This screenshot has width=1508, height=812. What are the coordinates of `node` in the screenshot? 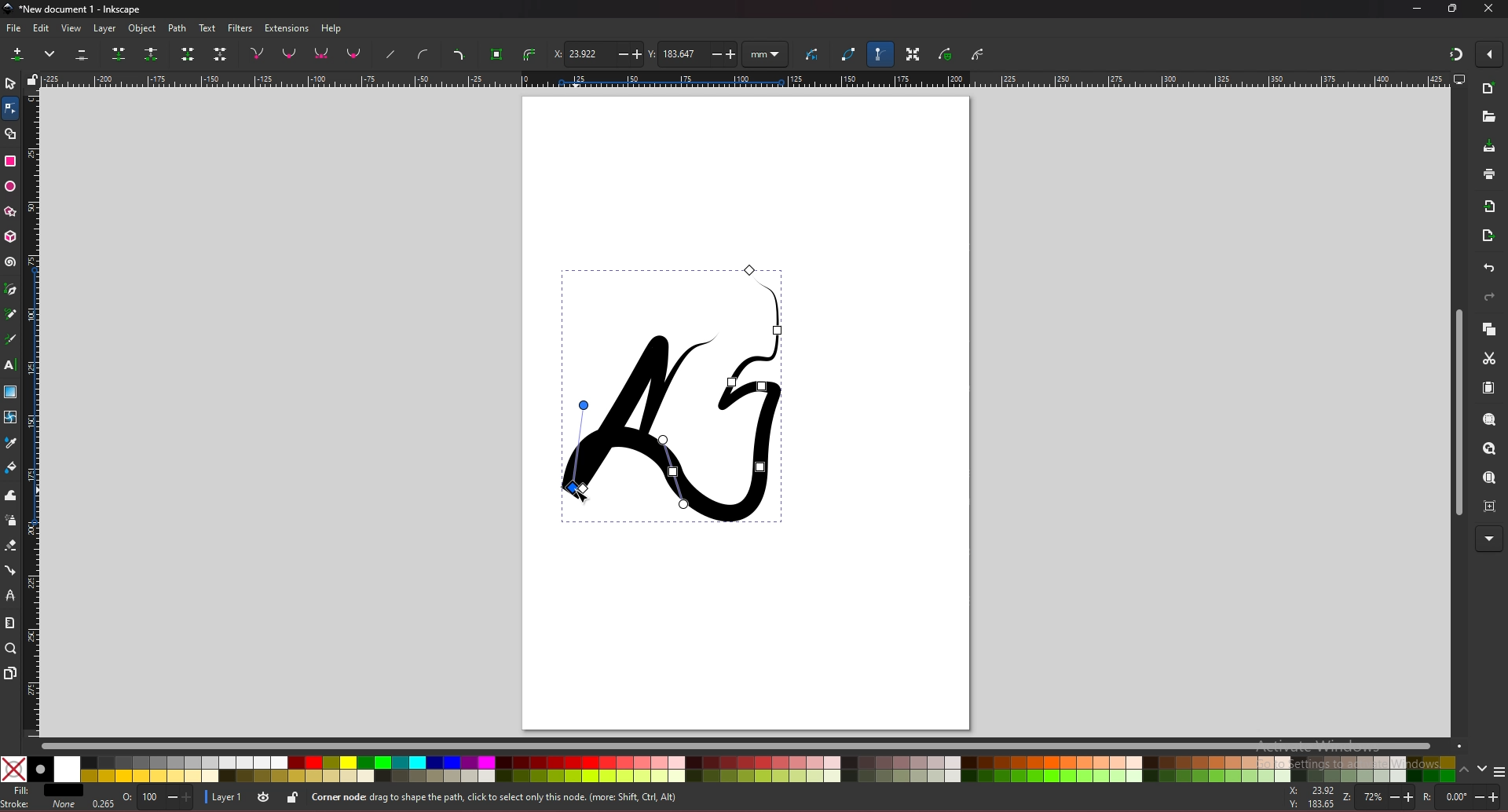 It's located at (9, 108).